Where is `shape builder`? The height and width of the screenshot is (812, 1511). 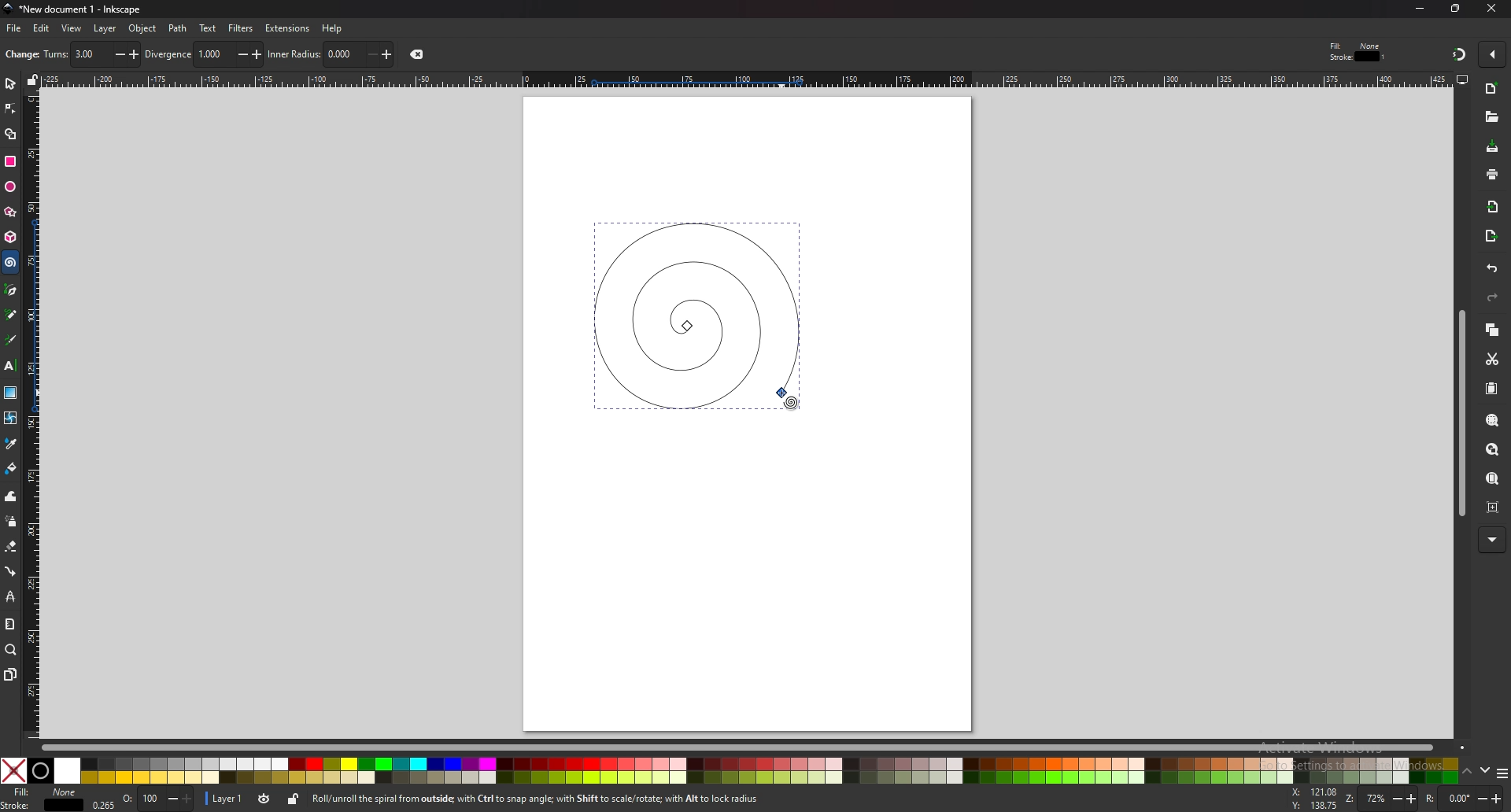
shape builder is located at coordinates (10, 134).